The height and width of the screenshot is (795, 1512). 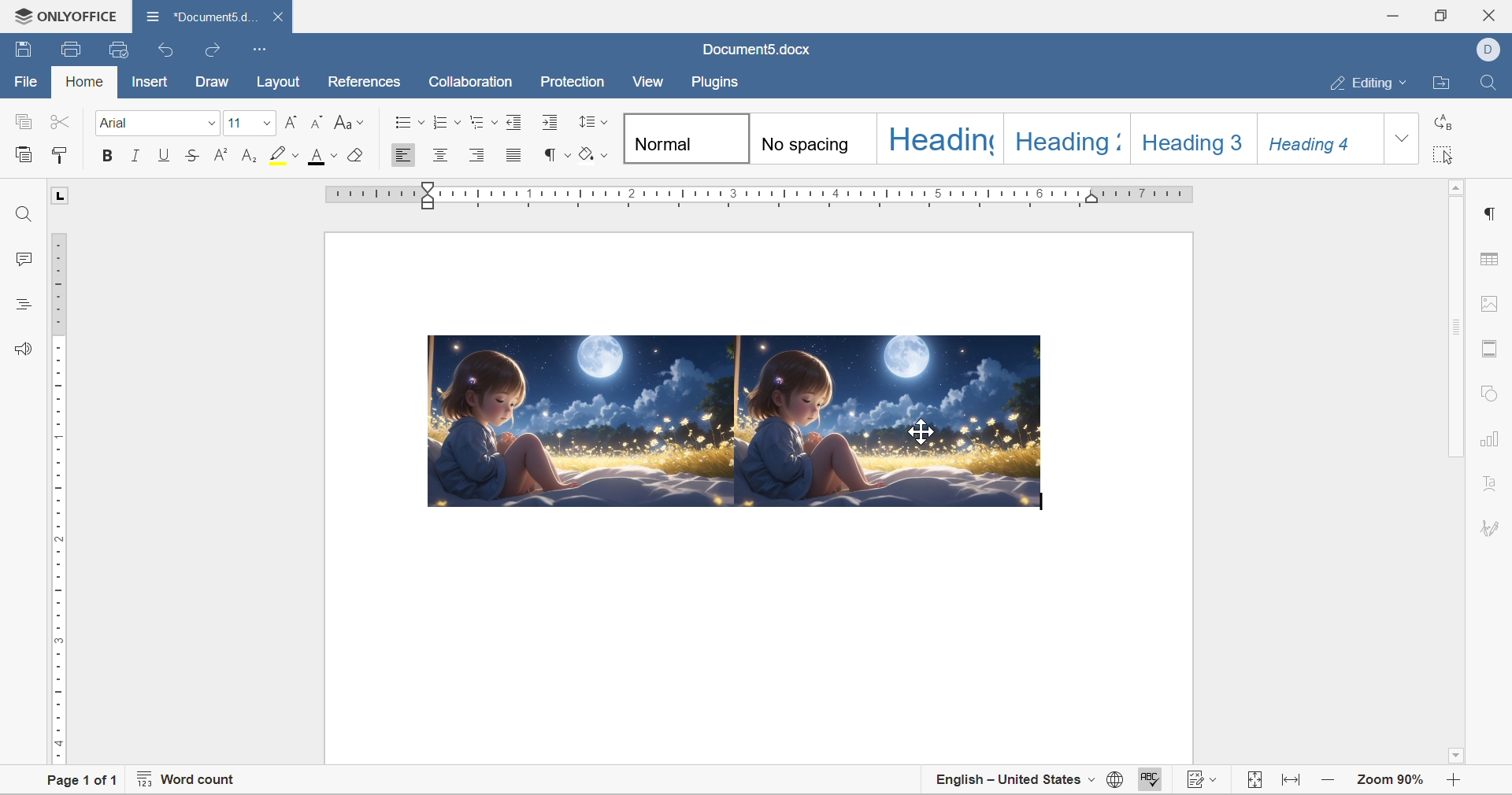 I want to click on superscript, so click(x=220, y=154).